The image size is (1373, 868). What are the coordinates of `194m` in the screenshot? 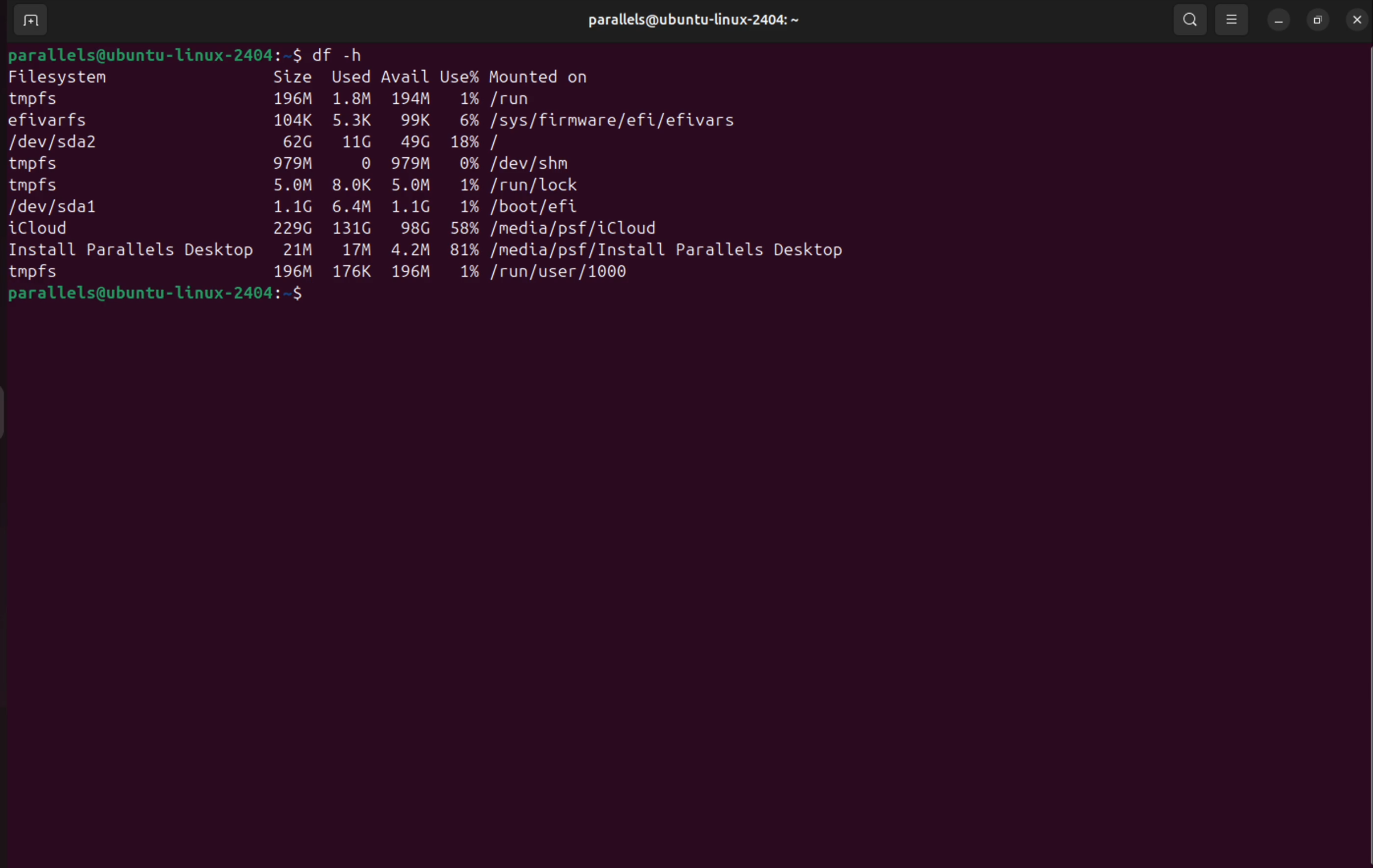 It's located at (411, 99).